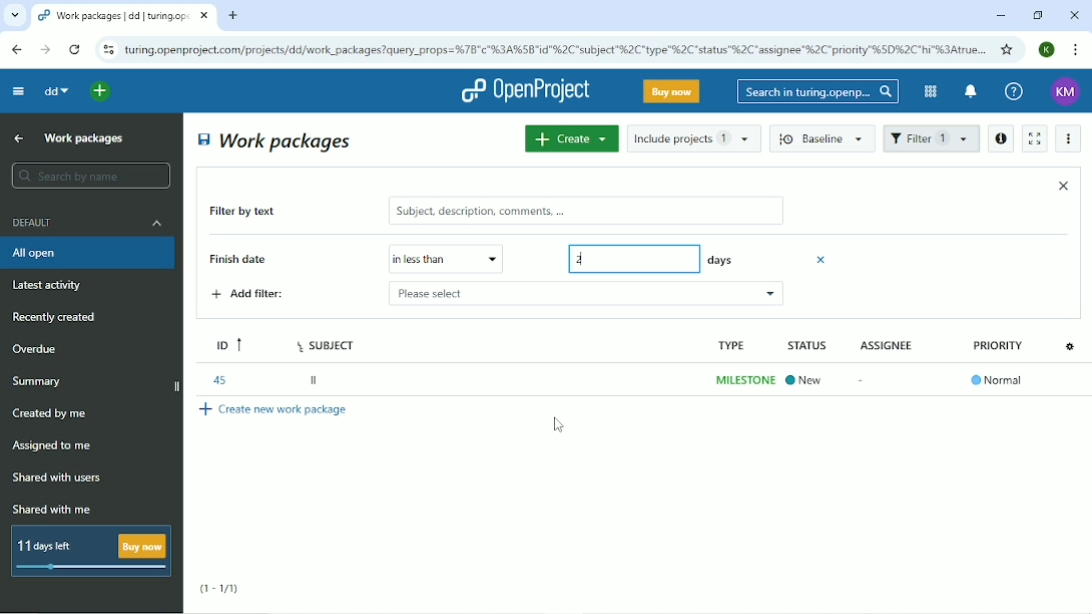  Describe the element at coordinates (233, 16) in the screenshot. I see `New tab` at that location.